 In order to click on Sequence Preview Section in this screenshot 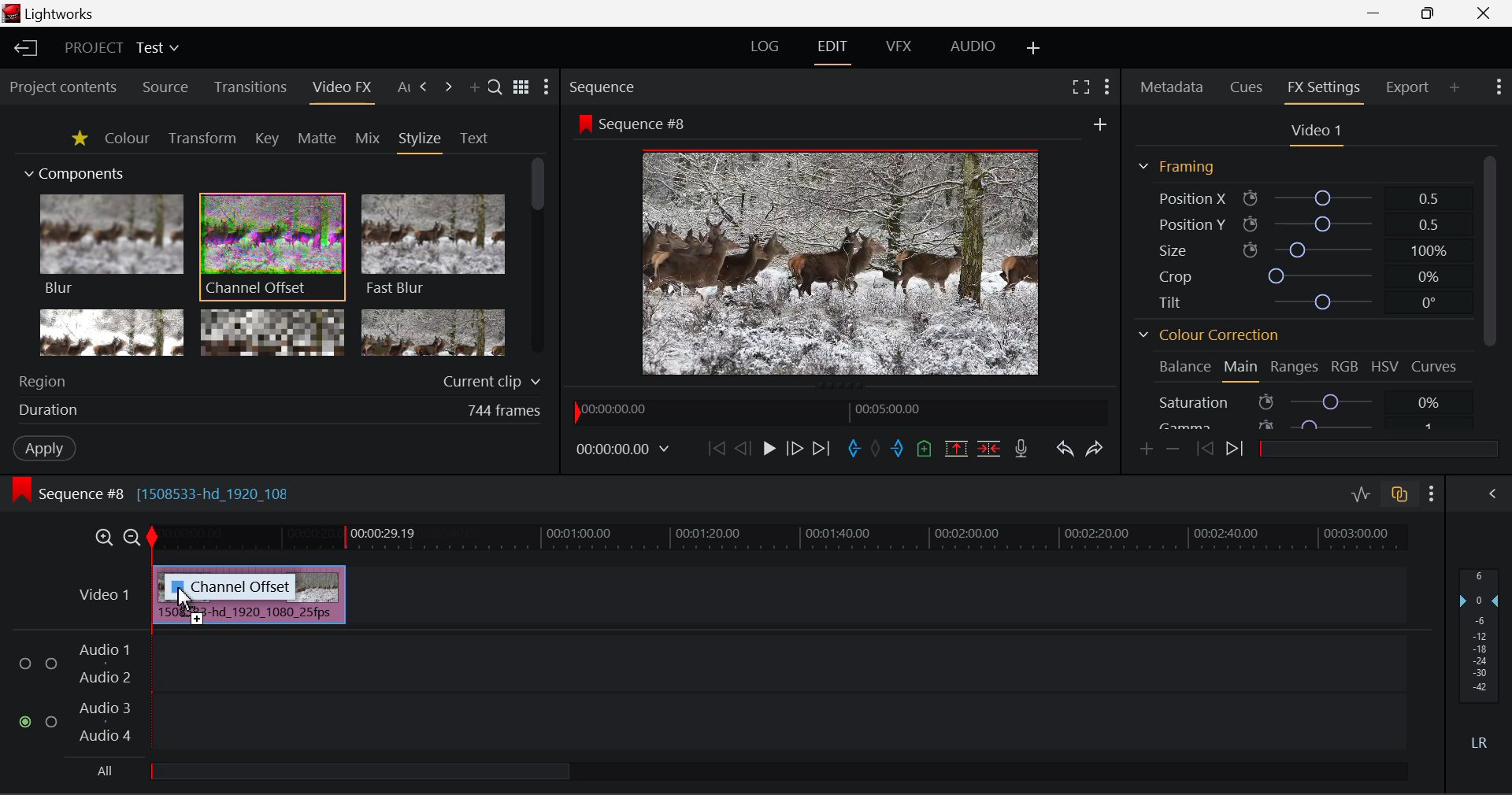, I will do `click(604, 86)`.